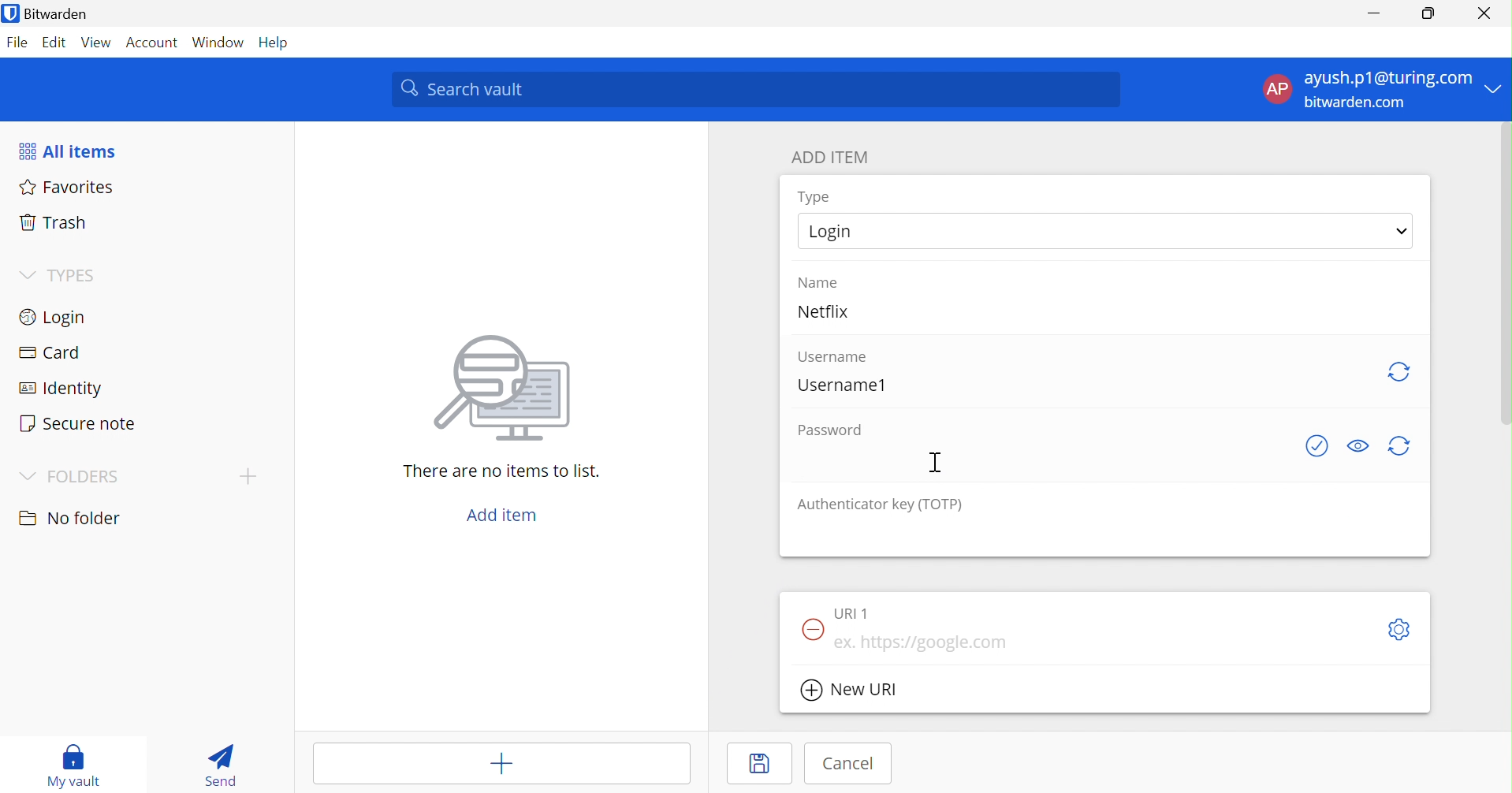  Describe the element at coordinates (67, 187) in the screenshot. I see `Favorites` at that location.